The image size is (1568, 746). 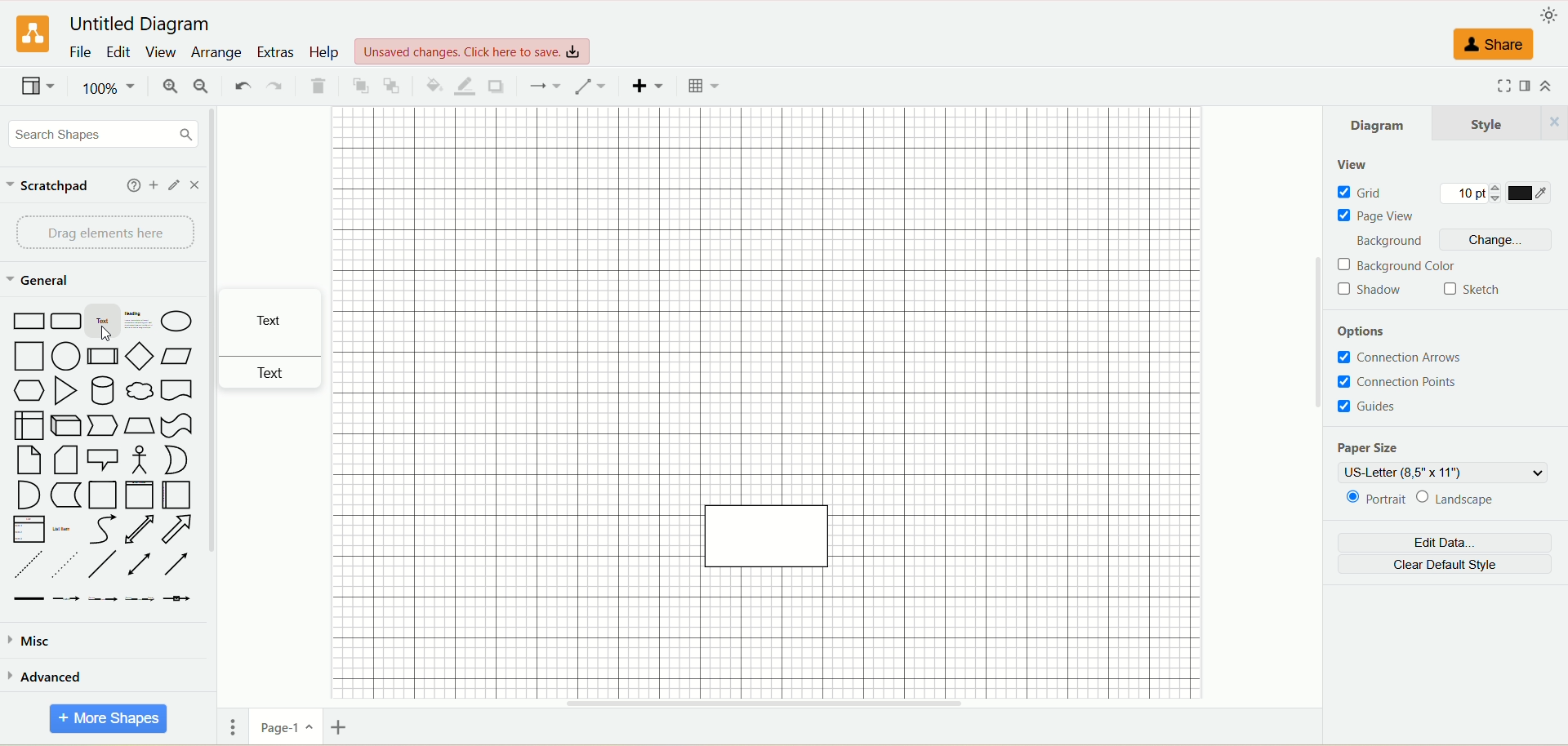 What do you see at coordinates (103, 531) in the screenshot?
I see `curve arrow` at bounding box center [103, 531].